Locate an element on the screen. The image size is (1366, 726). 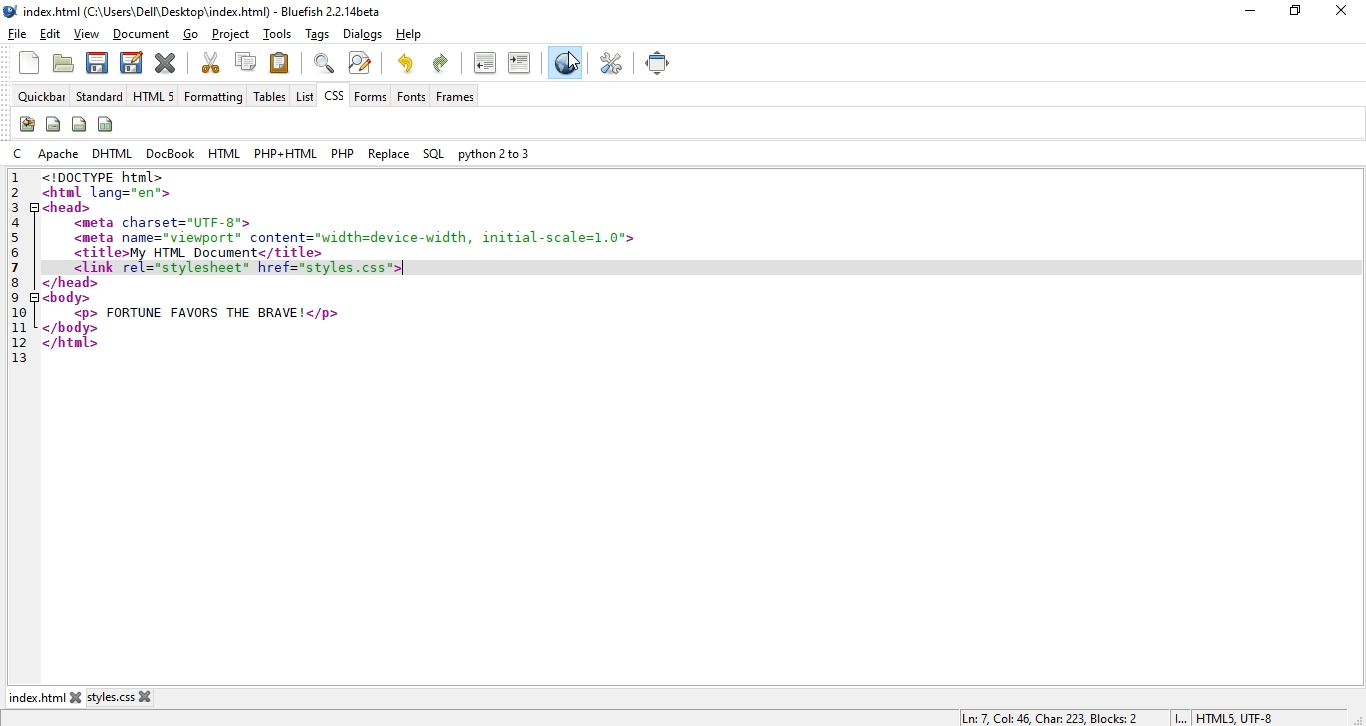
css is located at coordinates (333, 98).